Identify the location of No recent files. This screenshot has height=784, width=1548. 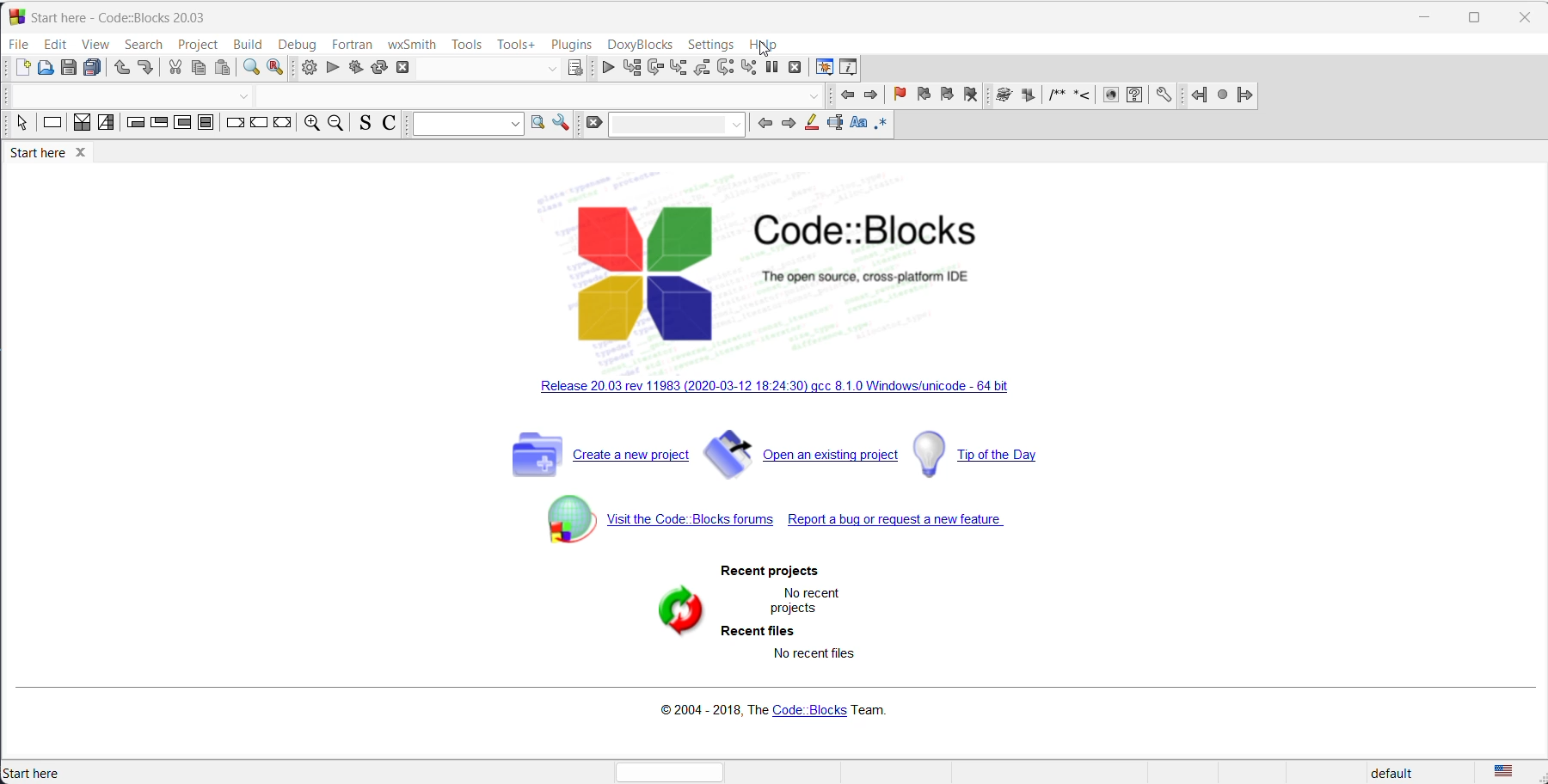
(814, 652).